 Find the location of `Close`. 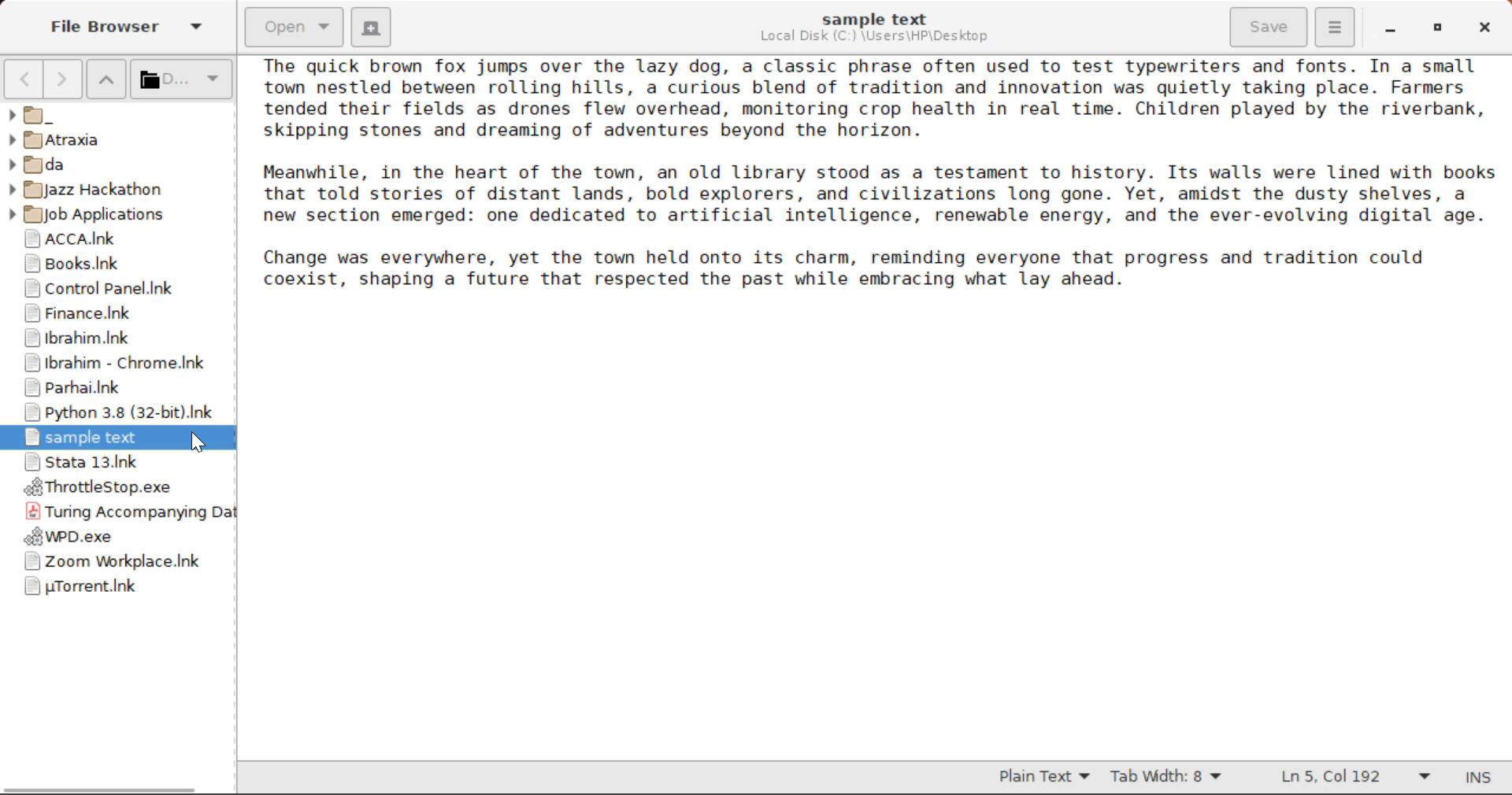

Close is located at coordinates (1482, 28).